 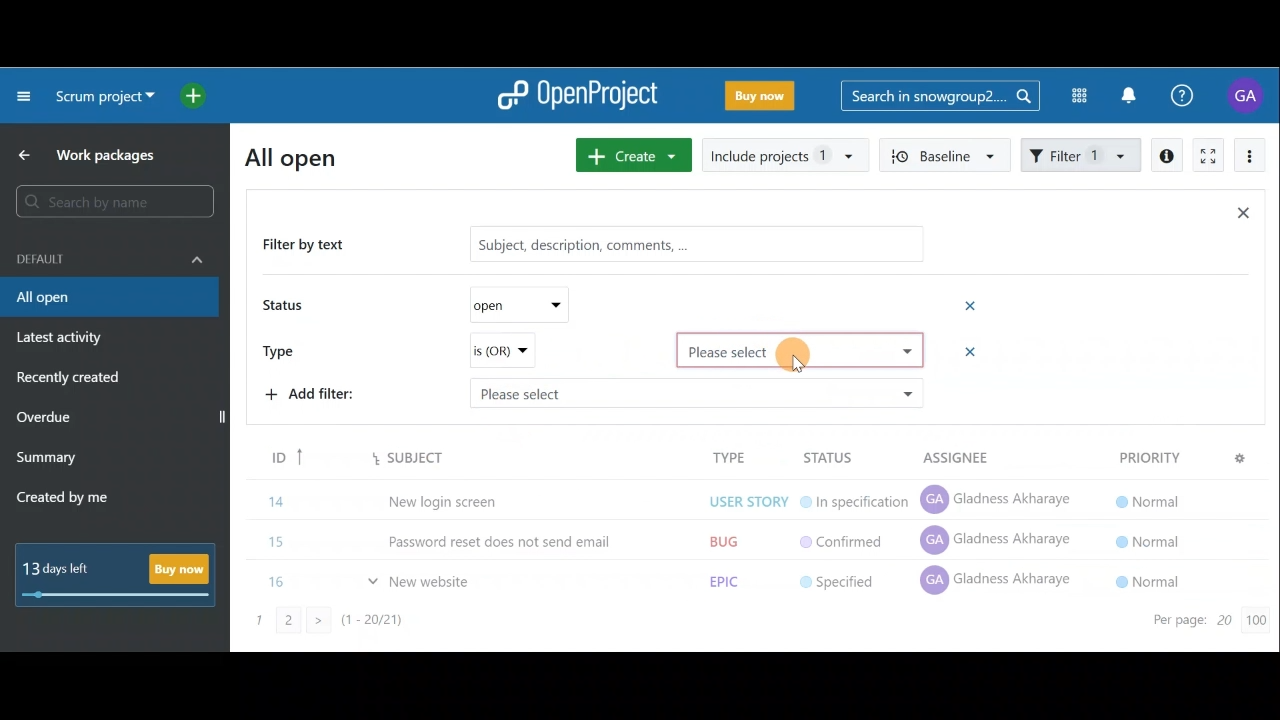 What do you see at coordinates (286, 349) in the screenshot?
I see `Type` at bounding box center [286, 349].